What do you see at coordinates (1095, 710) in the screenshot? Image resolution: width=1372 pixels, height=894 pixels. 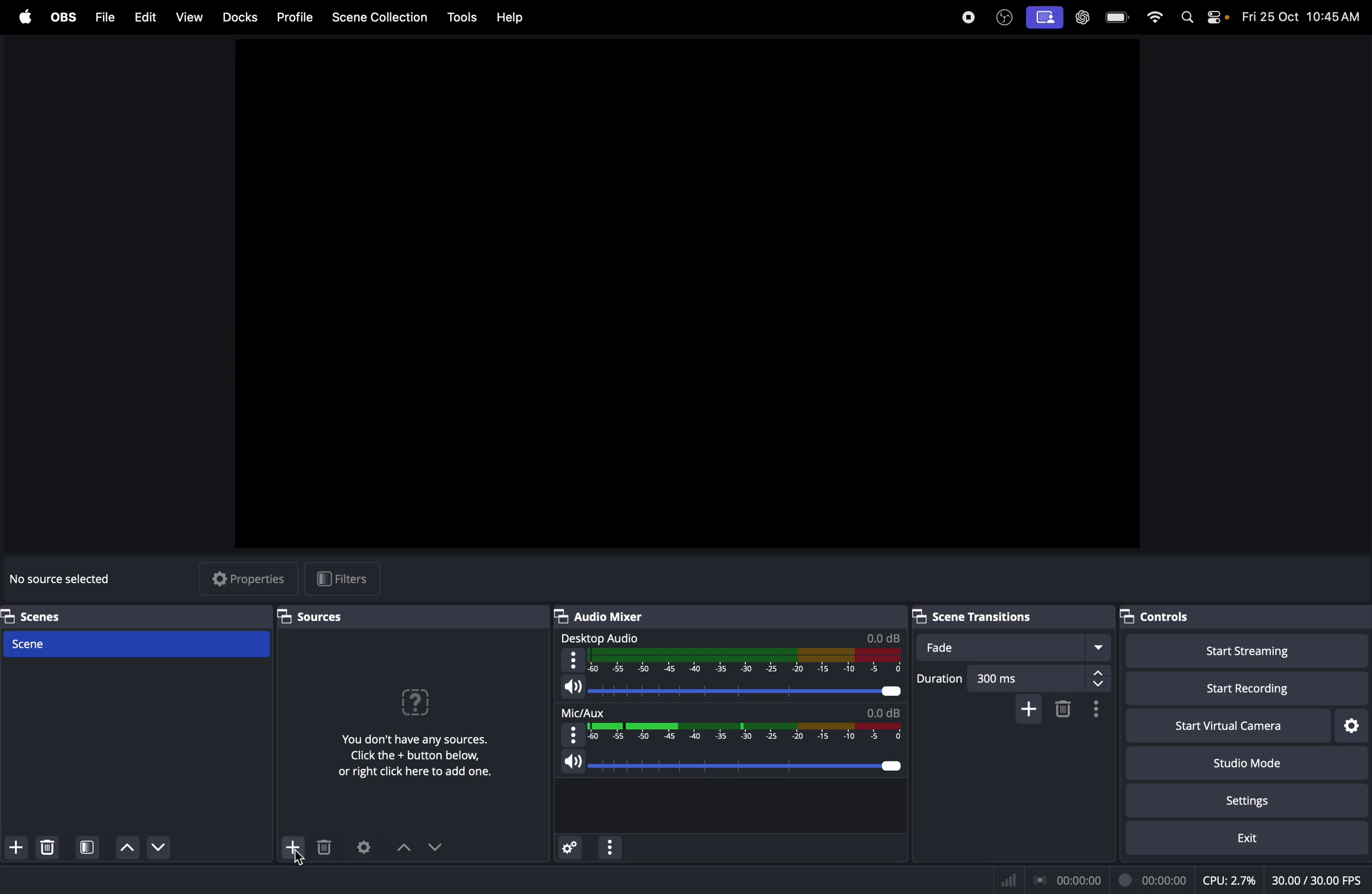 I see `transition properties` at bounding box center [1095, 710].